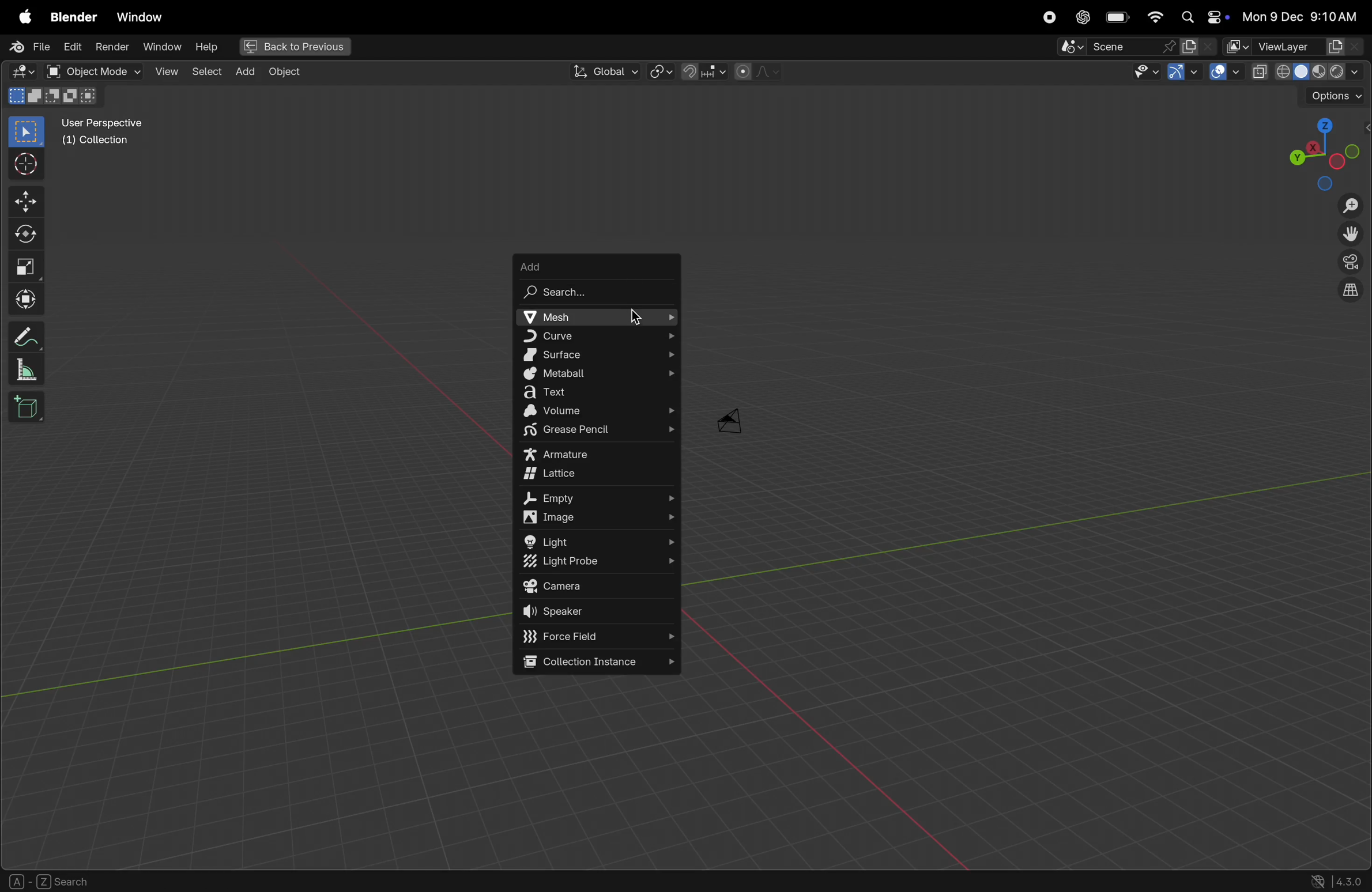 This screenshot has width=1372, height=892. What do you see at coordinates (1118, 47) in the screenshot?
I see `scene` at bounding box center [1118, 47].